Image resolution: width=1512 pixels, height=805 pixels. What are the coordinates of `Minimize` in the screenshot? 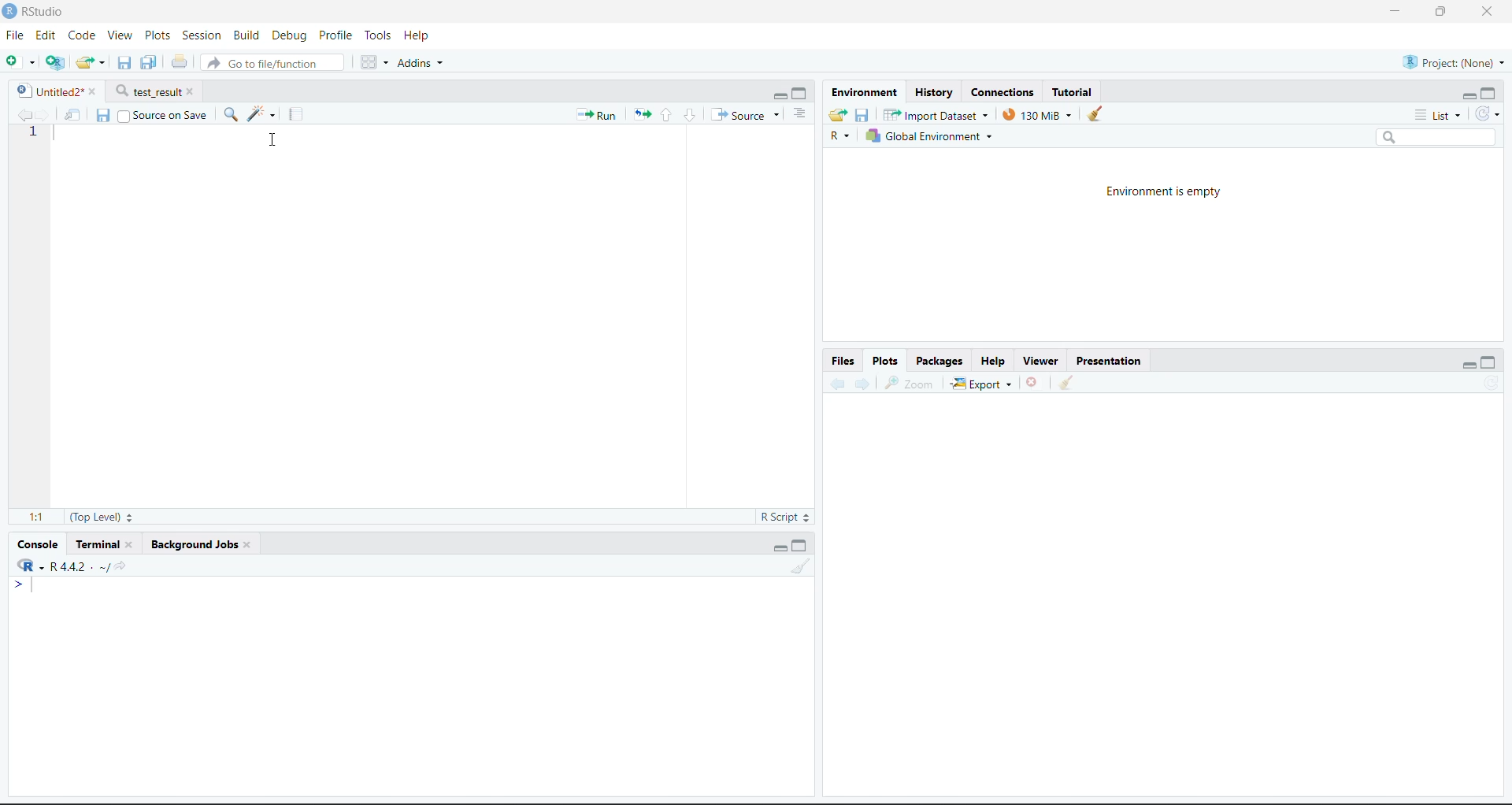 It's located at (777, 95).